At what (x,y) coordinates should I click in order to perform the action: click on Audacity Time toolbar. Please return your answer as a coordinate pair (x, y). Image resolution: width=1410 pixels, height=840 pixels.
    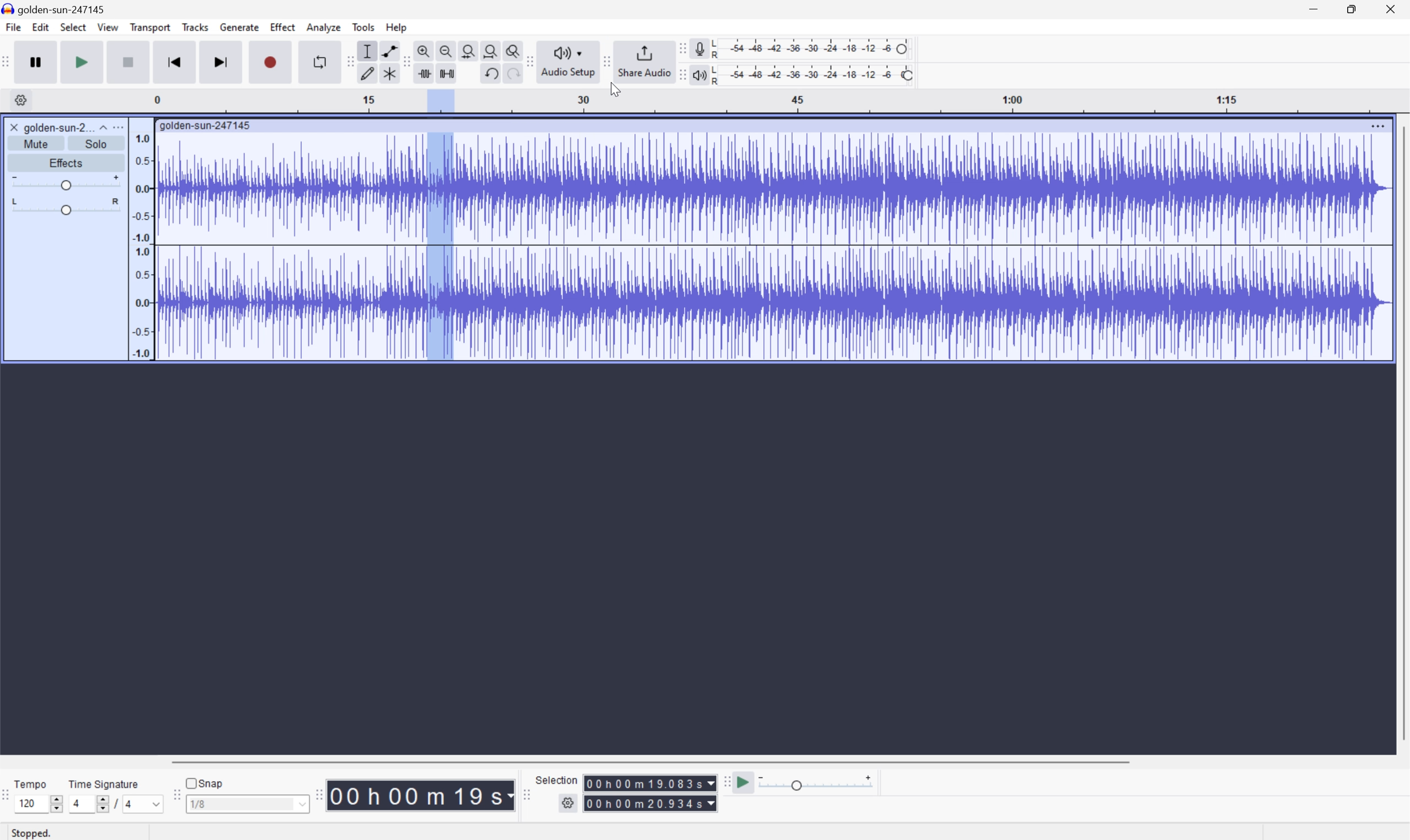
    Looking at the image, I should click on (315, 792).